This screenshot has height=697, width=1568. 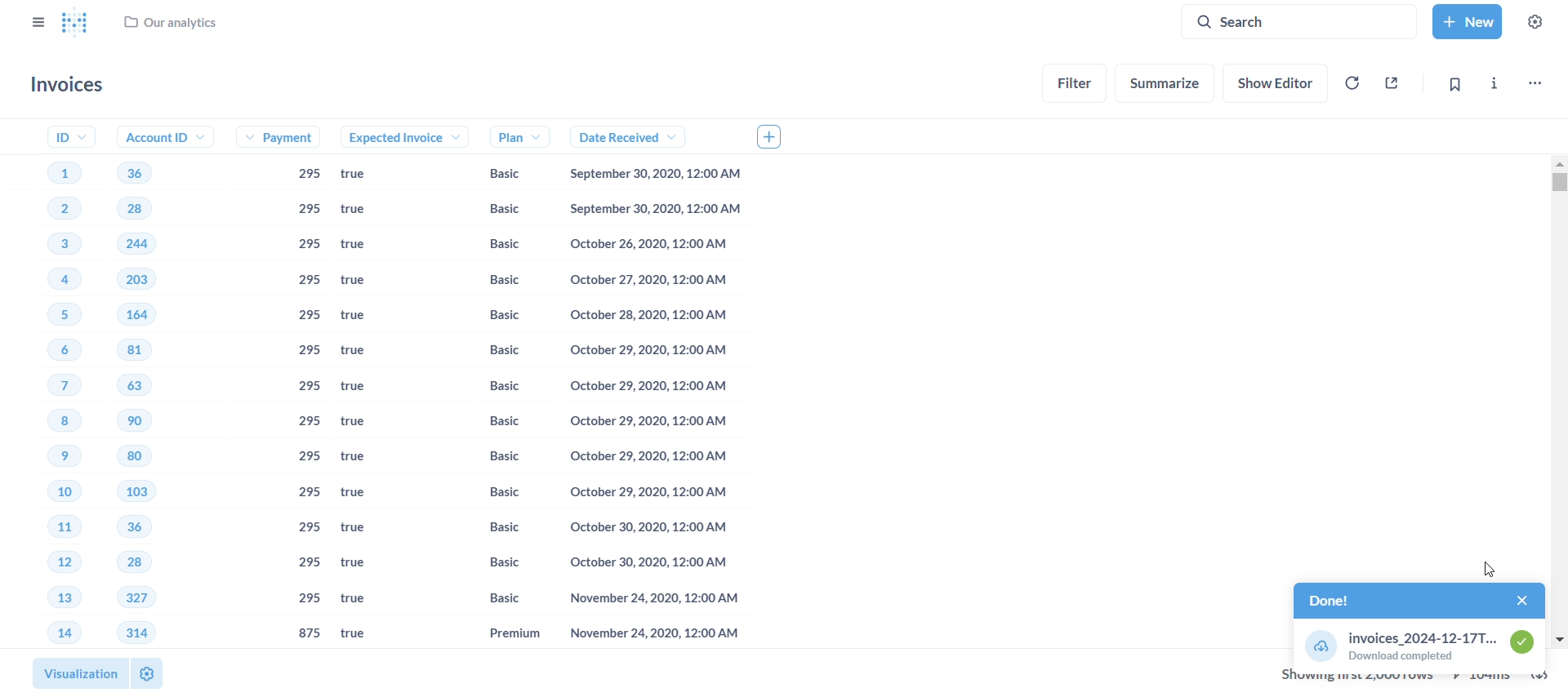 I want to click on auto-refresh, so click(x=1351, y=82).